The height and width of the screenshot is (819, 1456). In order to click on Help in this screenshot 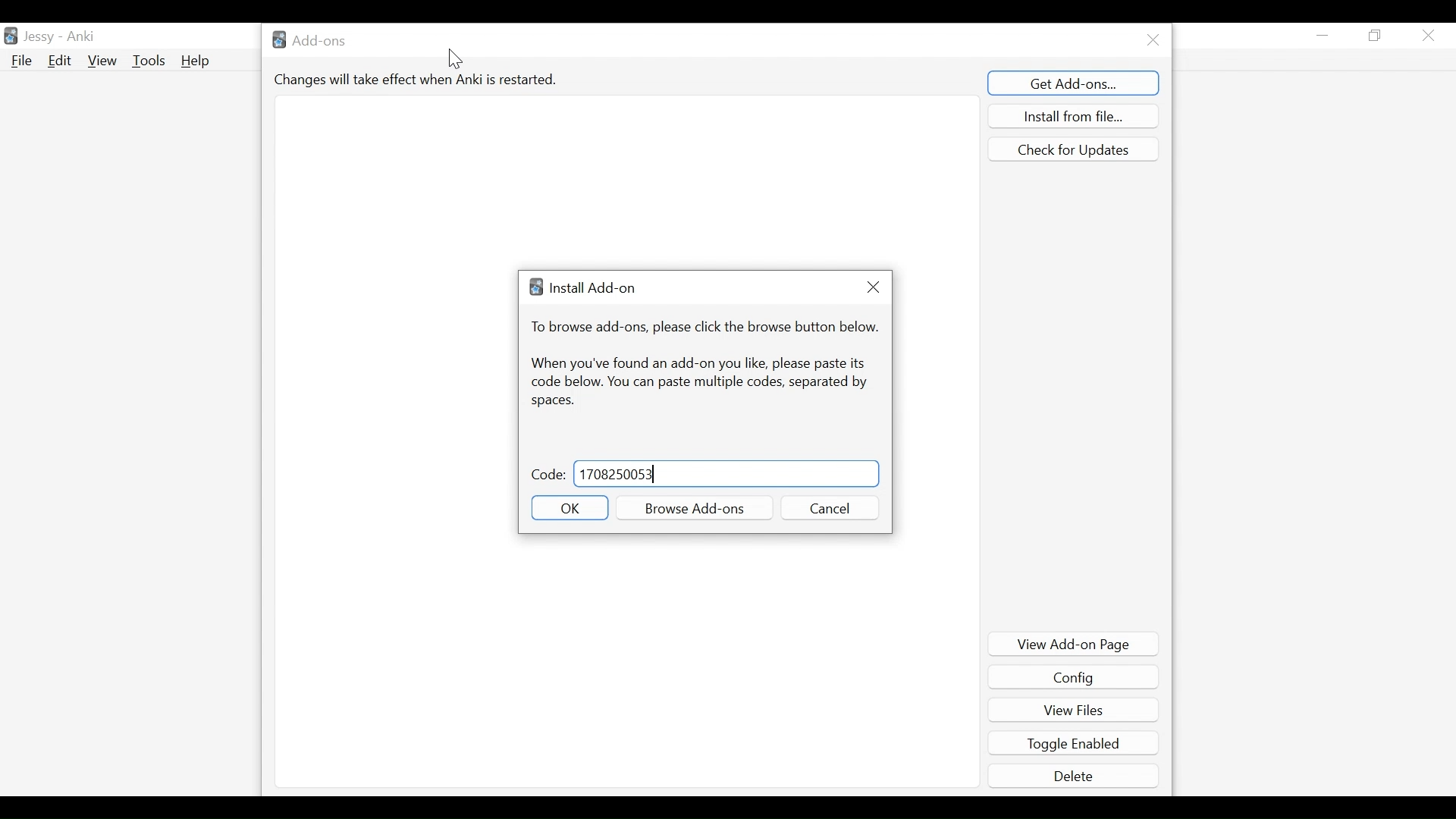, I will do `click(199, 62)`.